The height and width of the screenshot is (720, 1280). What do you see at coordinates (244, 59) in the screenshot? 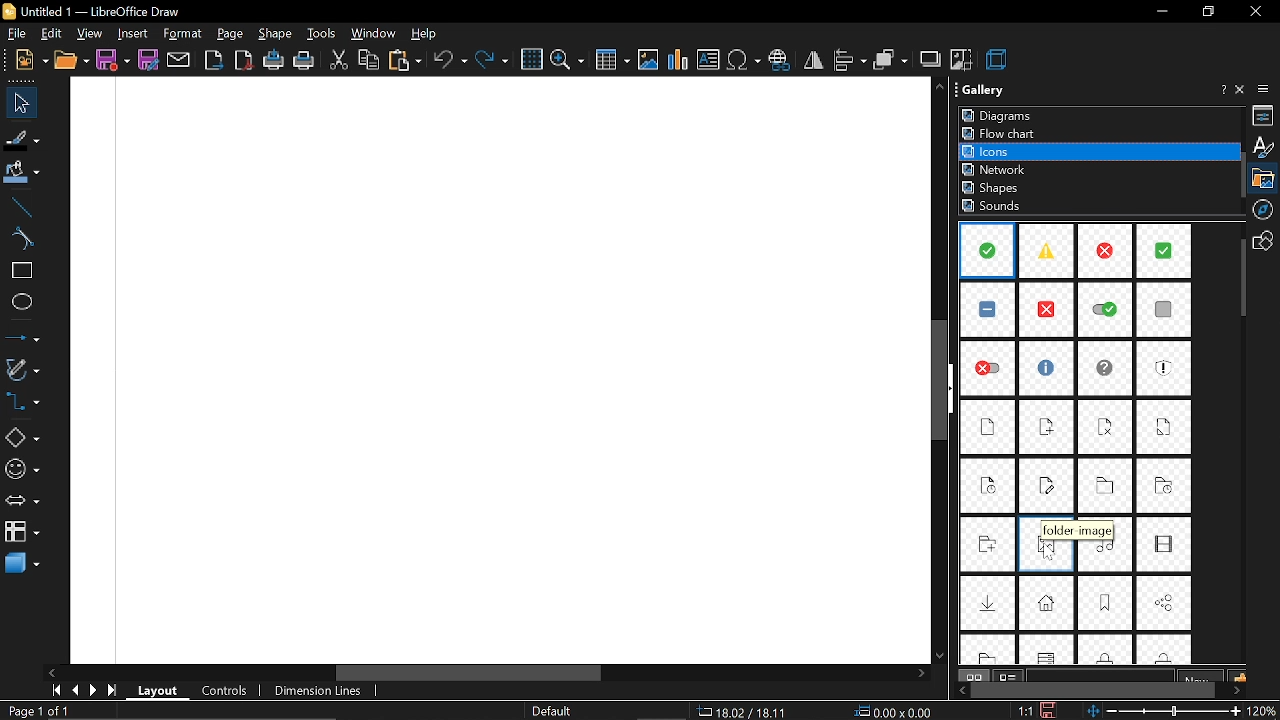
I see `export as pdf` at bounding box center [244, 59].